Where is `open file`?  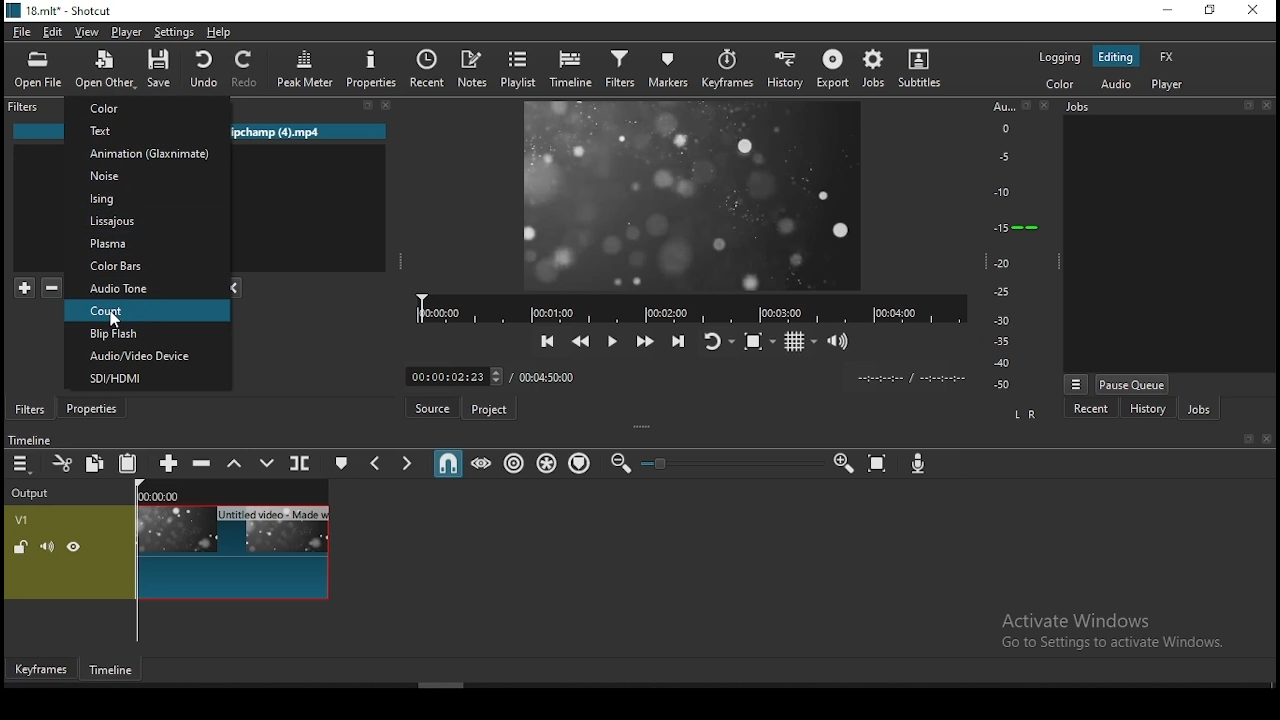 open file is located at coordinates (38, 68).